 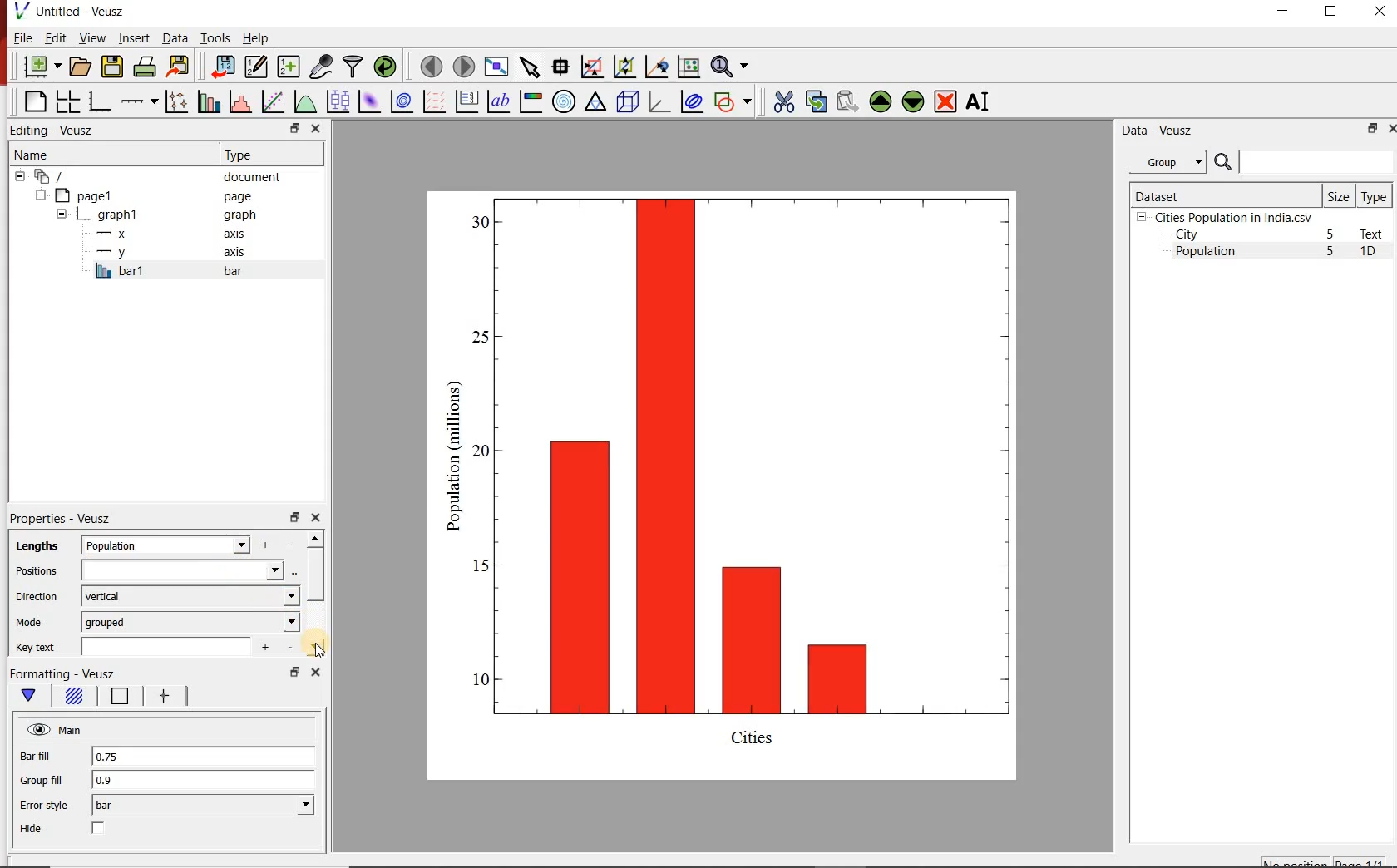 I want to click on 3d graph, so click(x=658, y=101).